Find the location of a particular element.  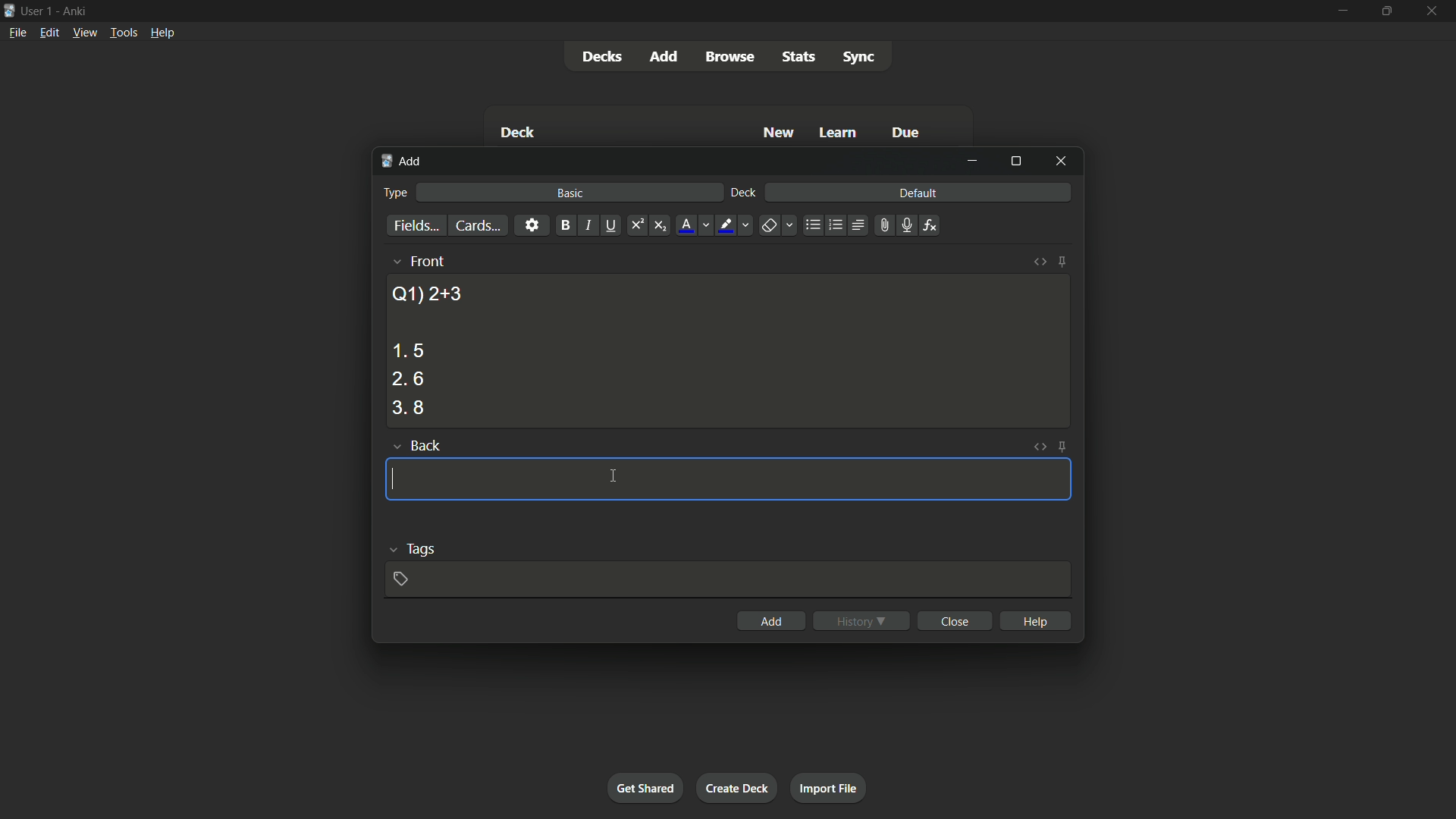

subscript is located at coordinates (660, 226).